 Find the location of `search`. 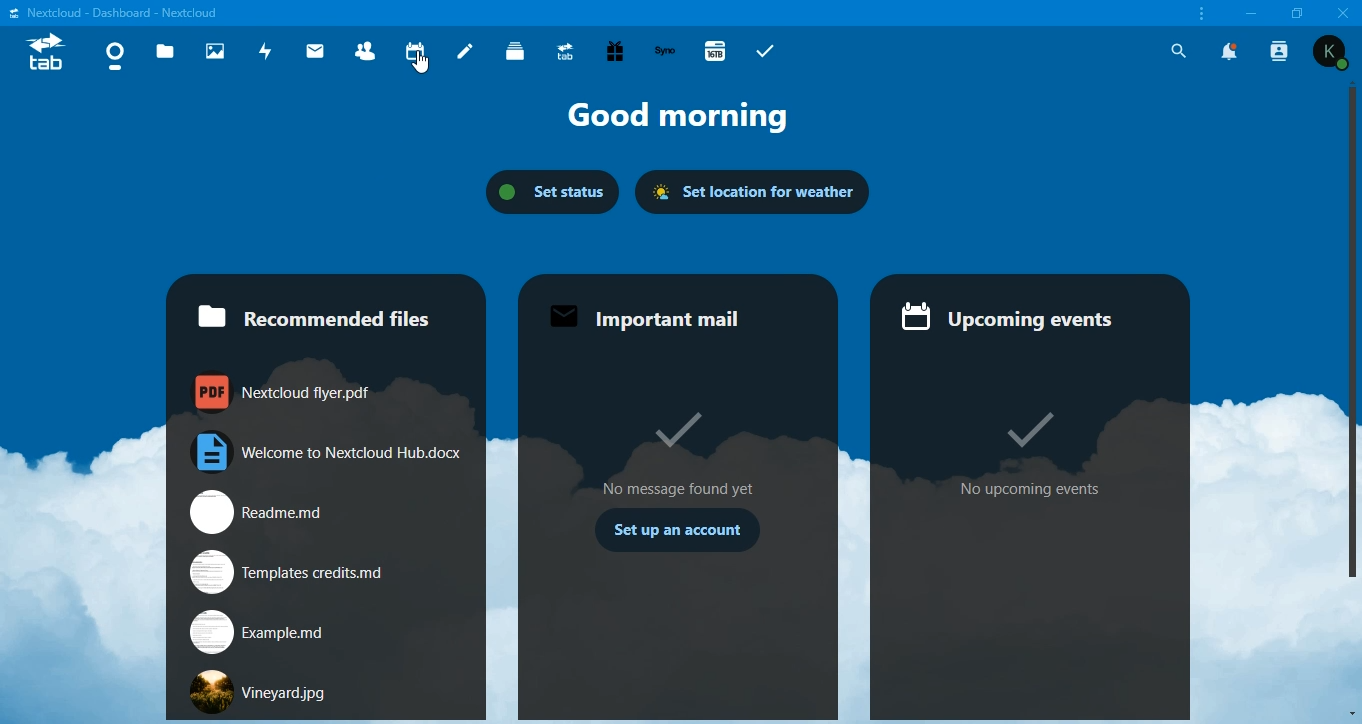

search is located at coordinates (1179, 51).